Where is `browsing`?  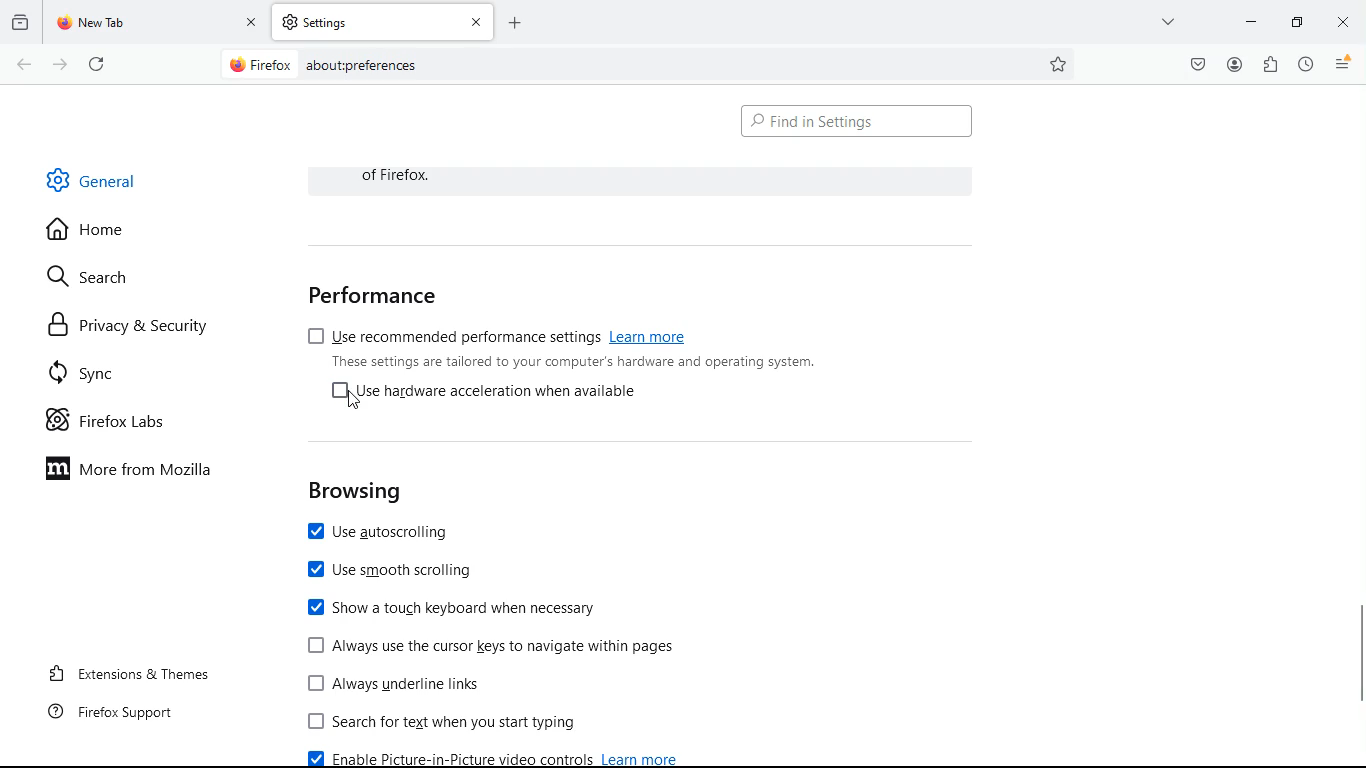
browsing is located at coordinates (353, 492).